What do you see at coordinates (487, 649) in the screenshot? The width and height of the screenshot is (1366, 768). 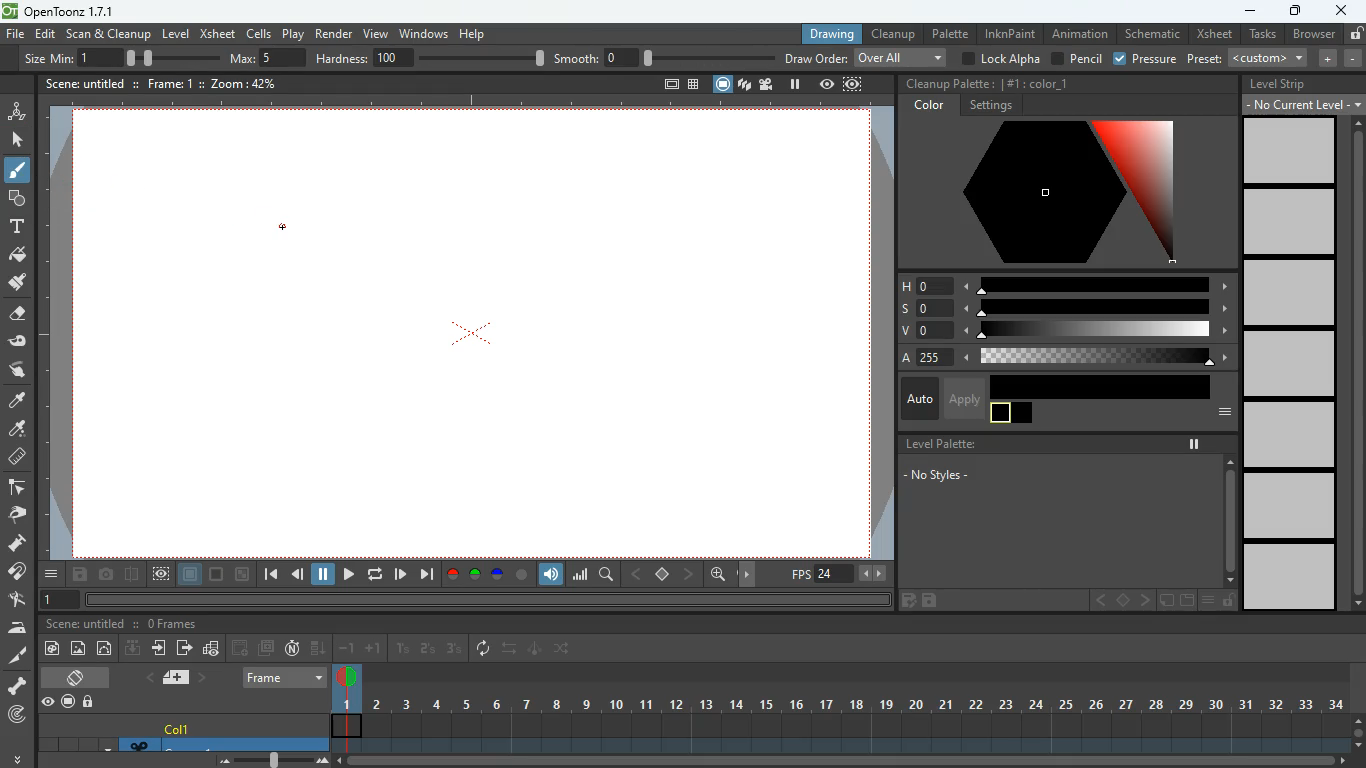 I see `refresh` at bounding box center [487, 649].